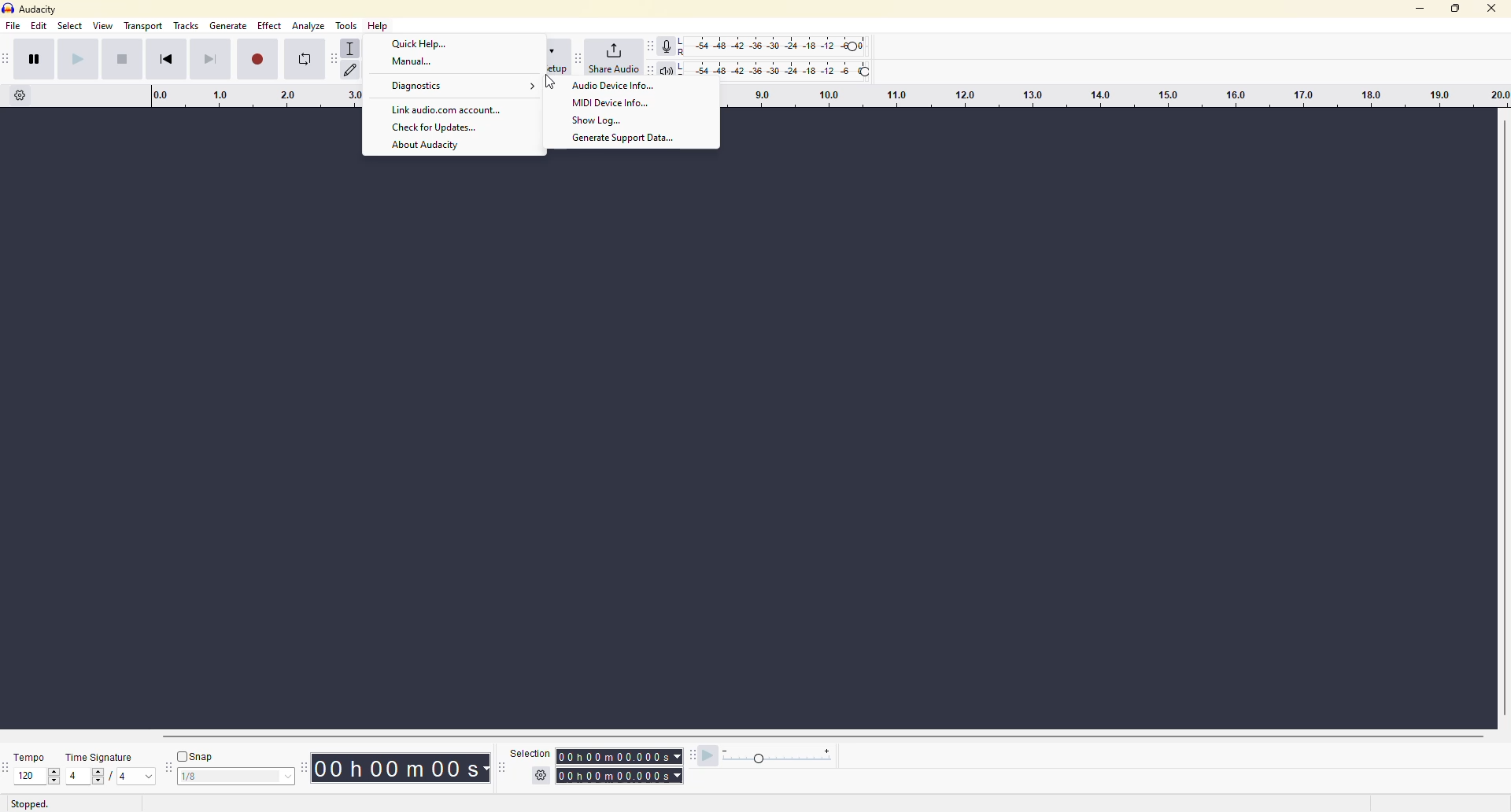 This screenshot has height=812, width=1511. I want to click on draw tool, so click(352, 69).